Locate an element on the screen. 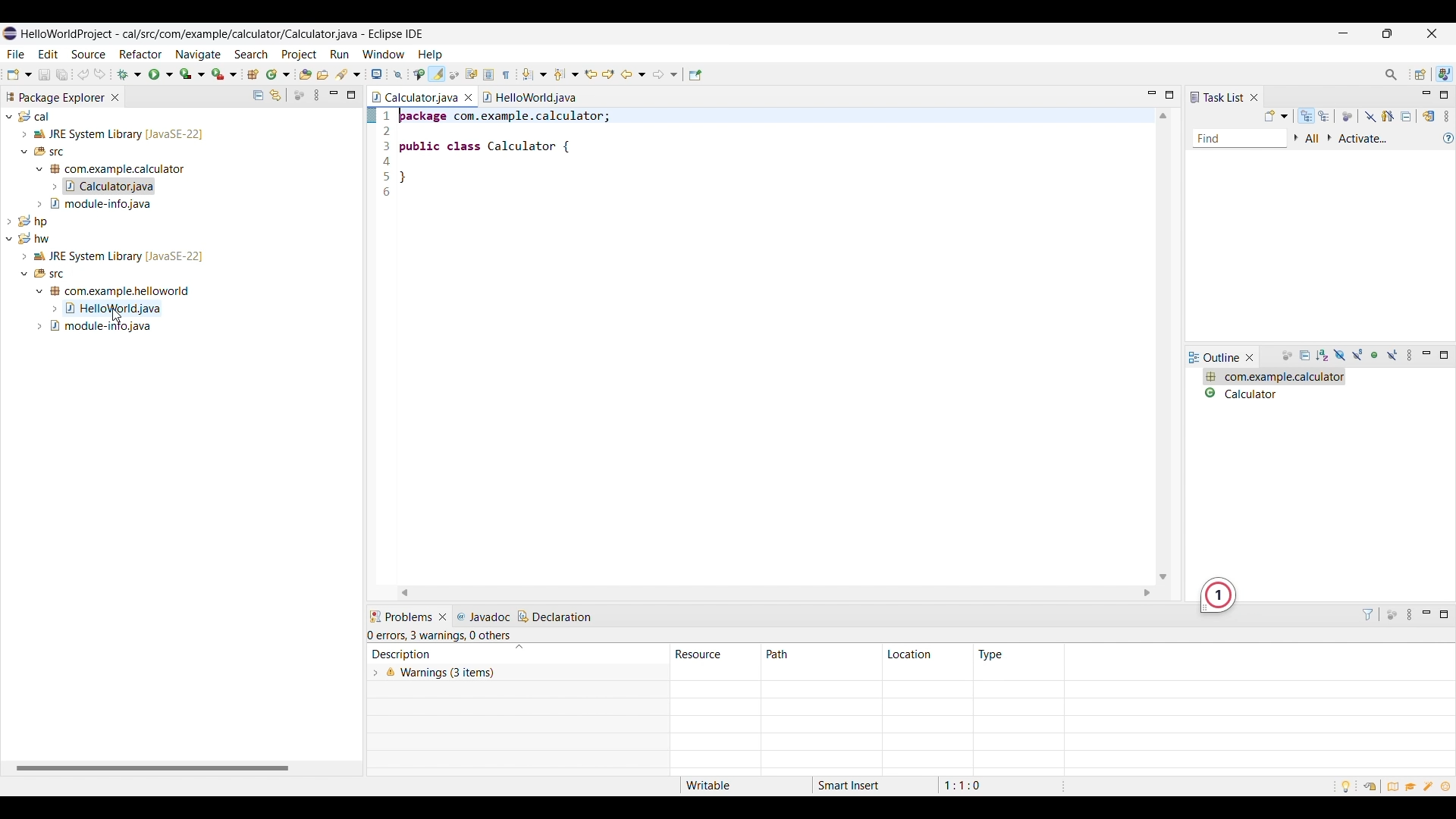 This screenshot has height=819, width=1456. Save all is located at coordinates (62, 75).